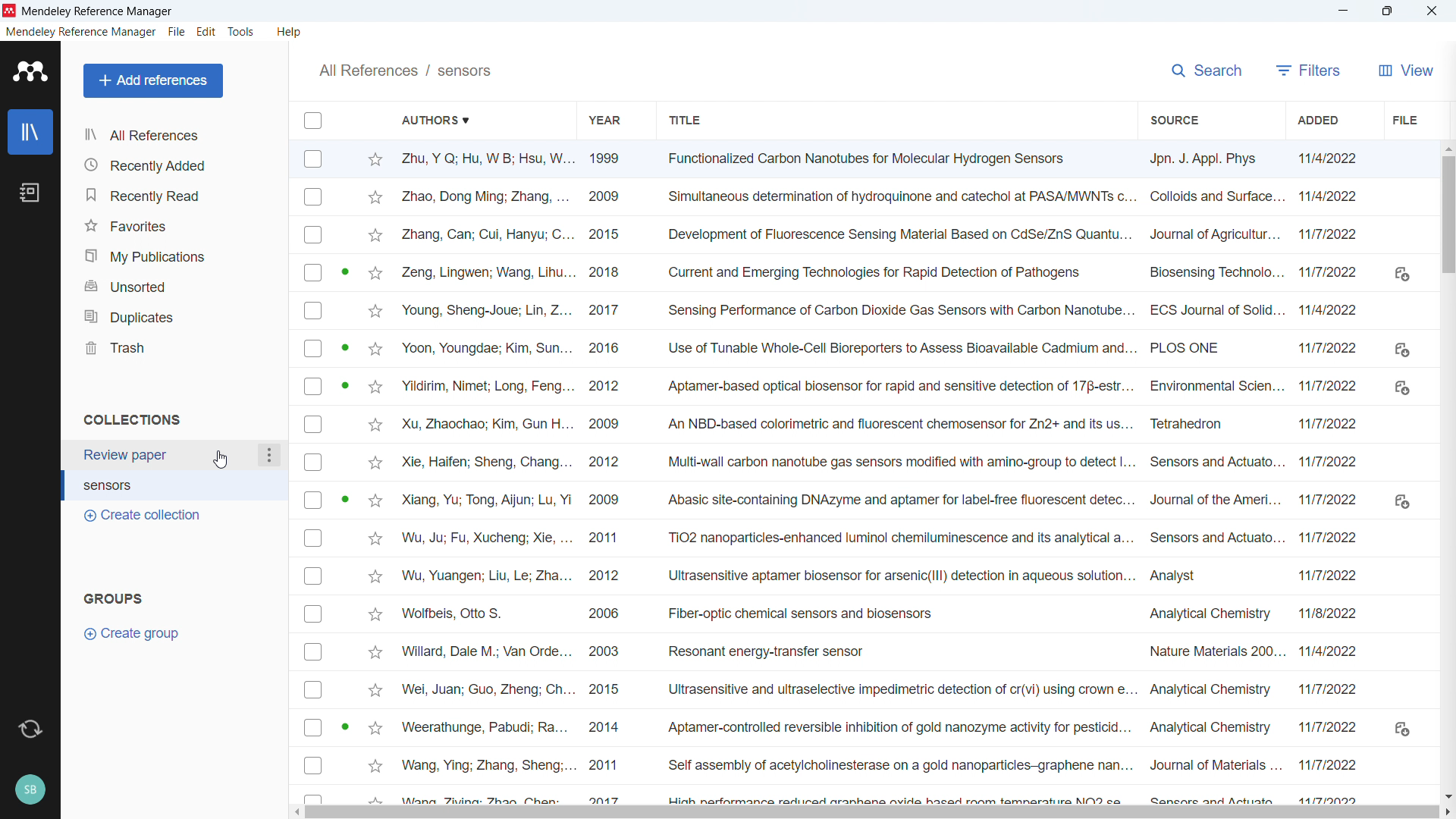  I want to click on Scroll left , so click(296, 813).